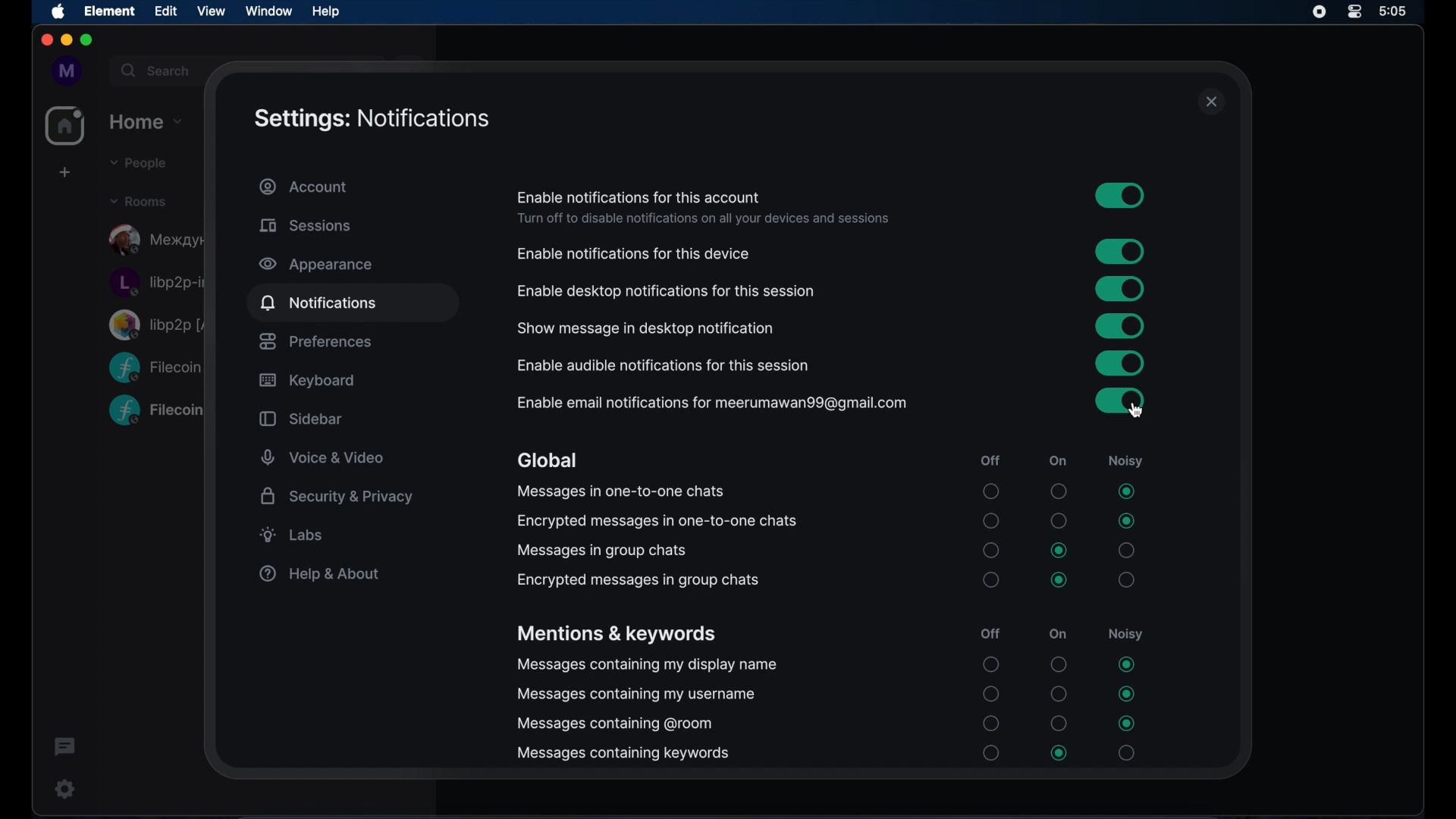 Image resolution: width=1456 pixels, height=819 pixels. What do you see at coordinates (300, 419) in the screenshot?
I see `sidebar` at bounding box center [300, 419].